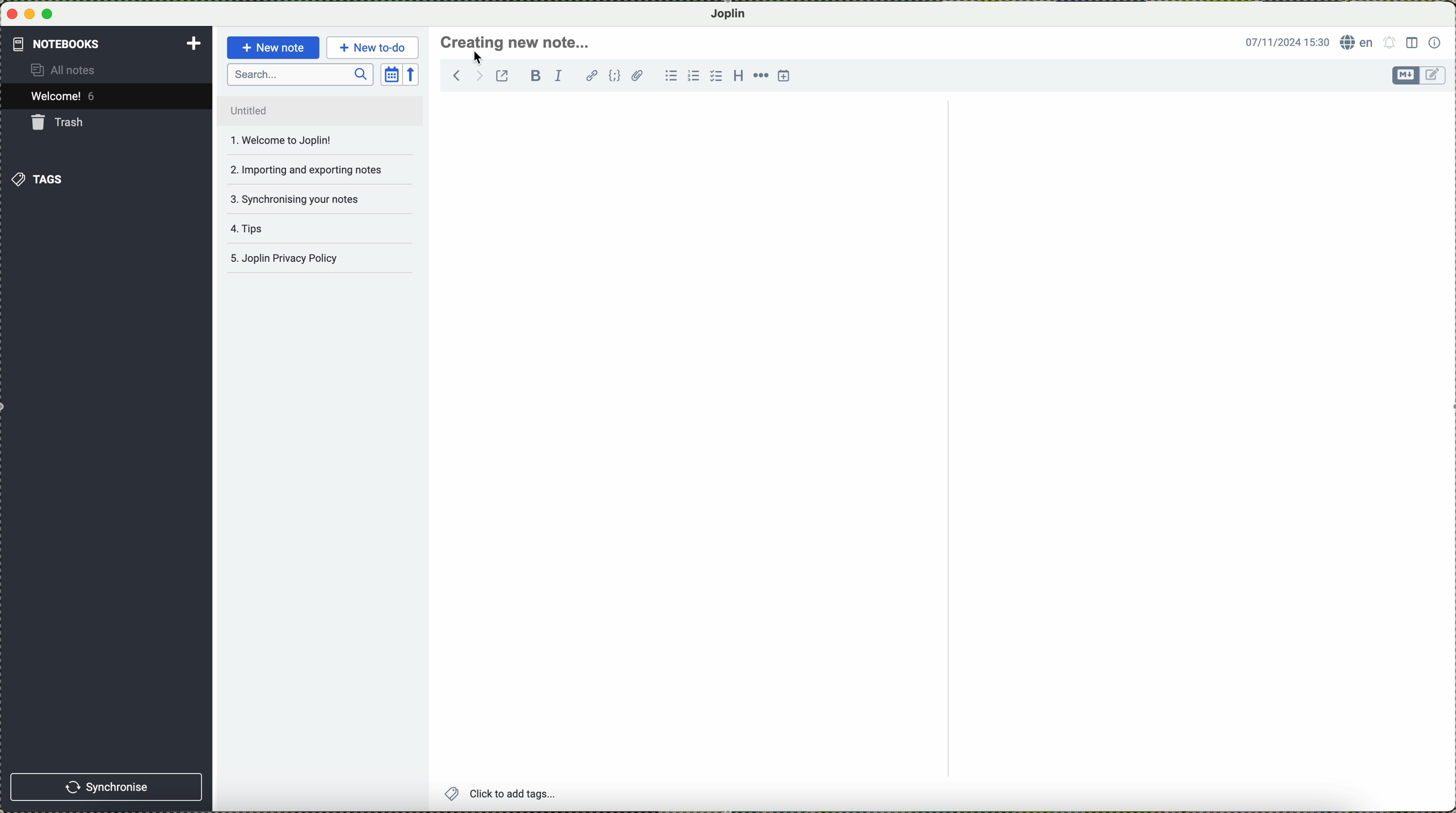 The width and height of the screenshot is (1456, 813). What do you see at coordinates (616, 76) in the screenshot?
I see `code` at bounding box center [616, 76].